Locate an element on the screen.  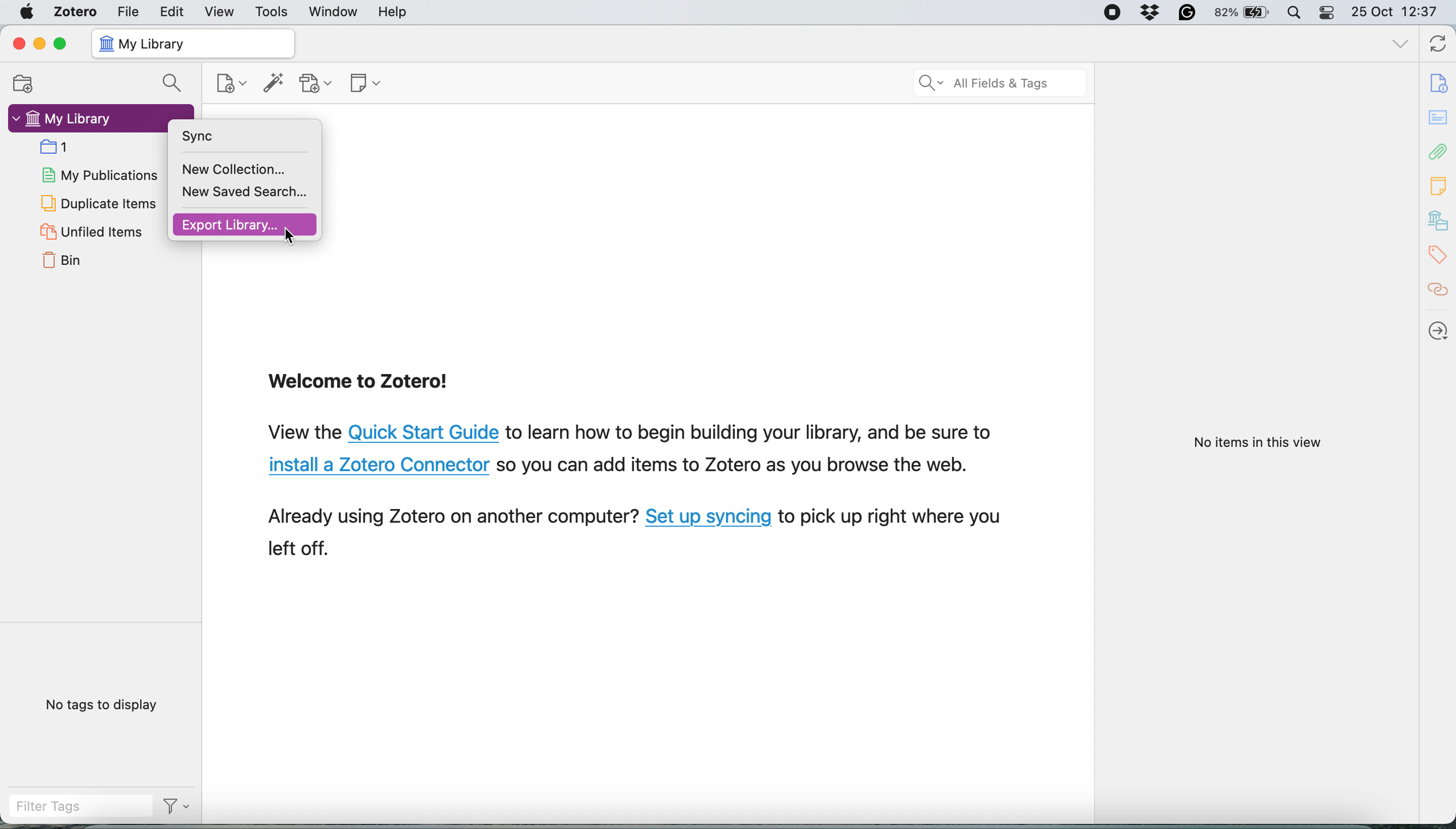
control center is located at coordinates (1328, 13).